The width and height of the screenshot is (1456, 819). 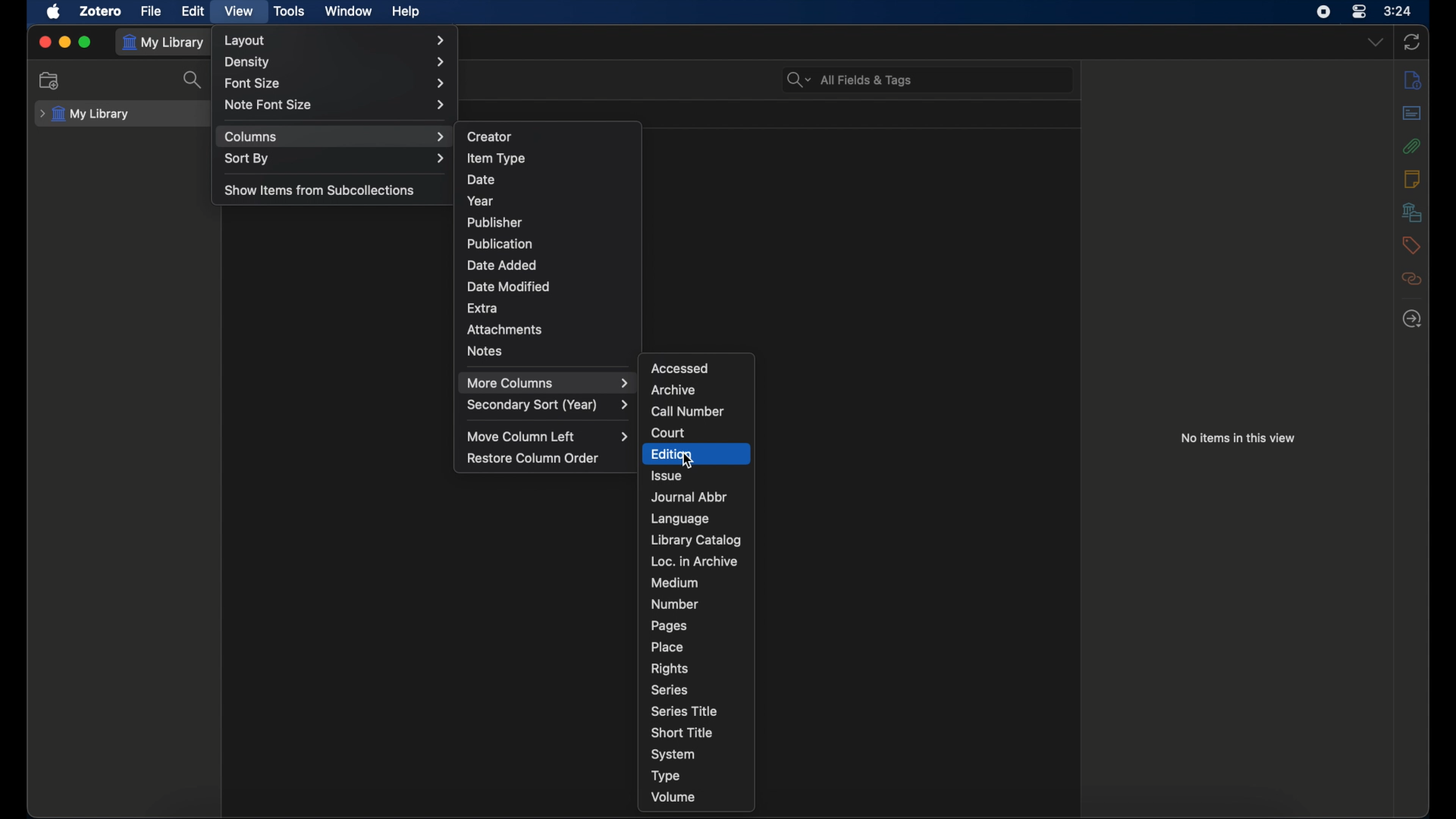 What do you see at coordinates (533, 459) in the screenshot?
I see `restore column order` at bounding box center [533, 459].